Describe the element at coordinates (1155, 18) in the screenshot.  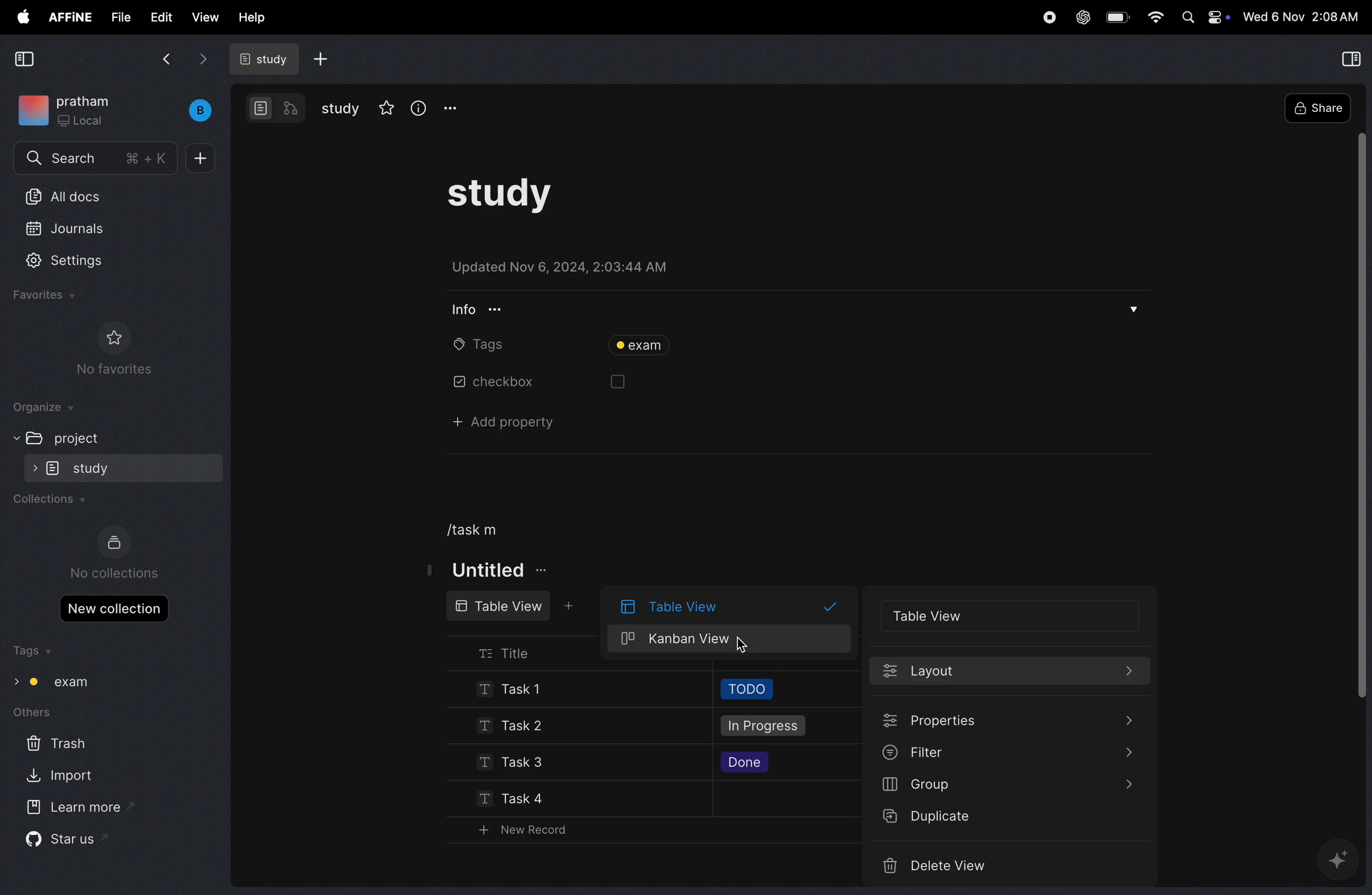
I see `wifi` at that location.